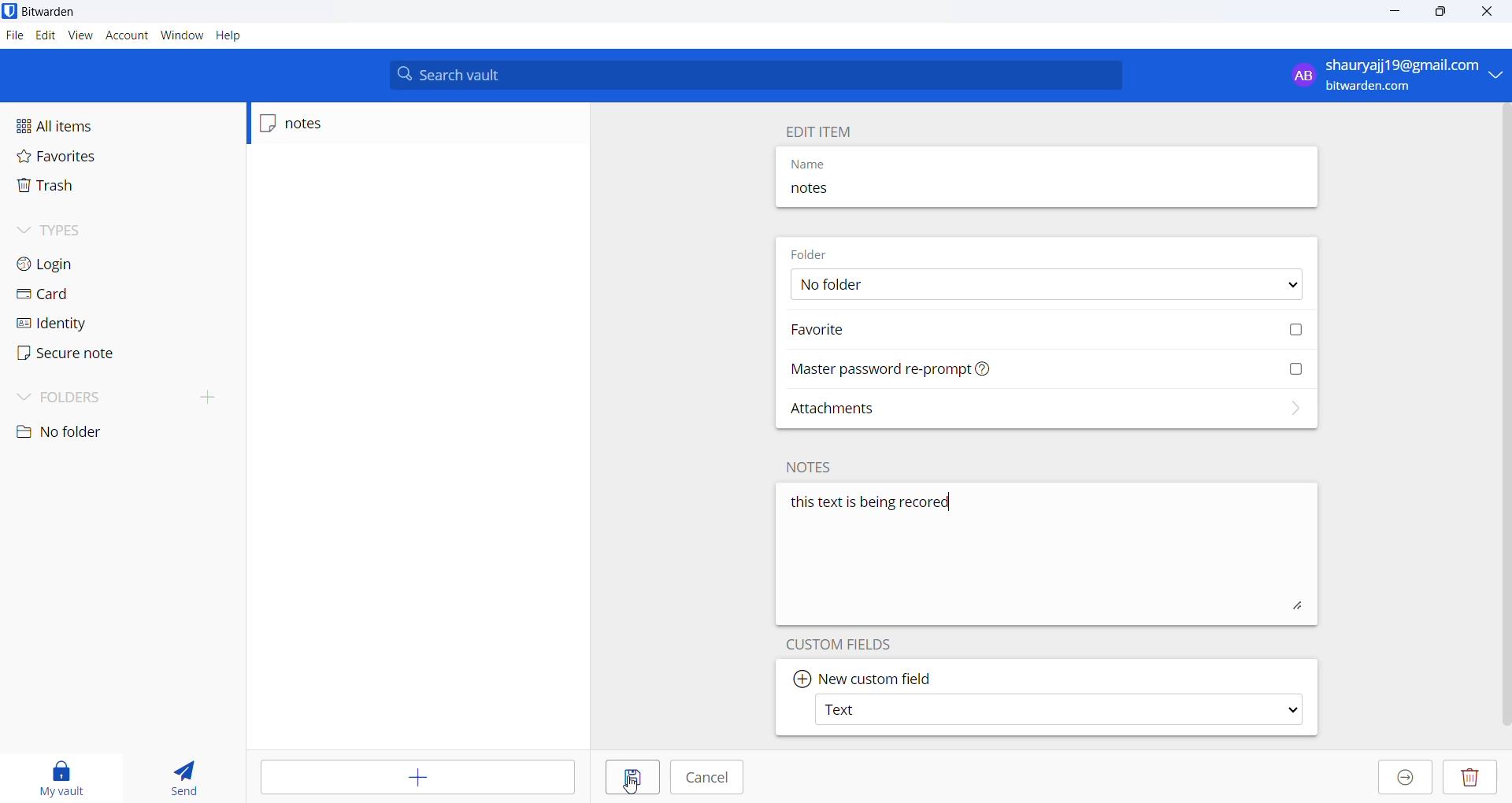  Describe the element at coordinates (812, 464) in the screenshot. I see `notes` at that location.